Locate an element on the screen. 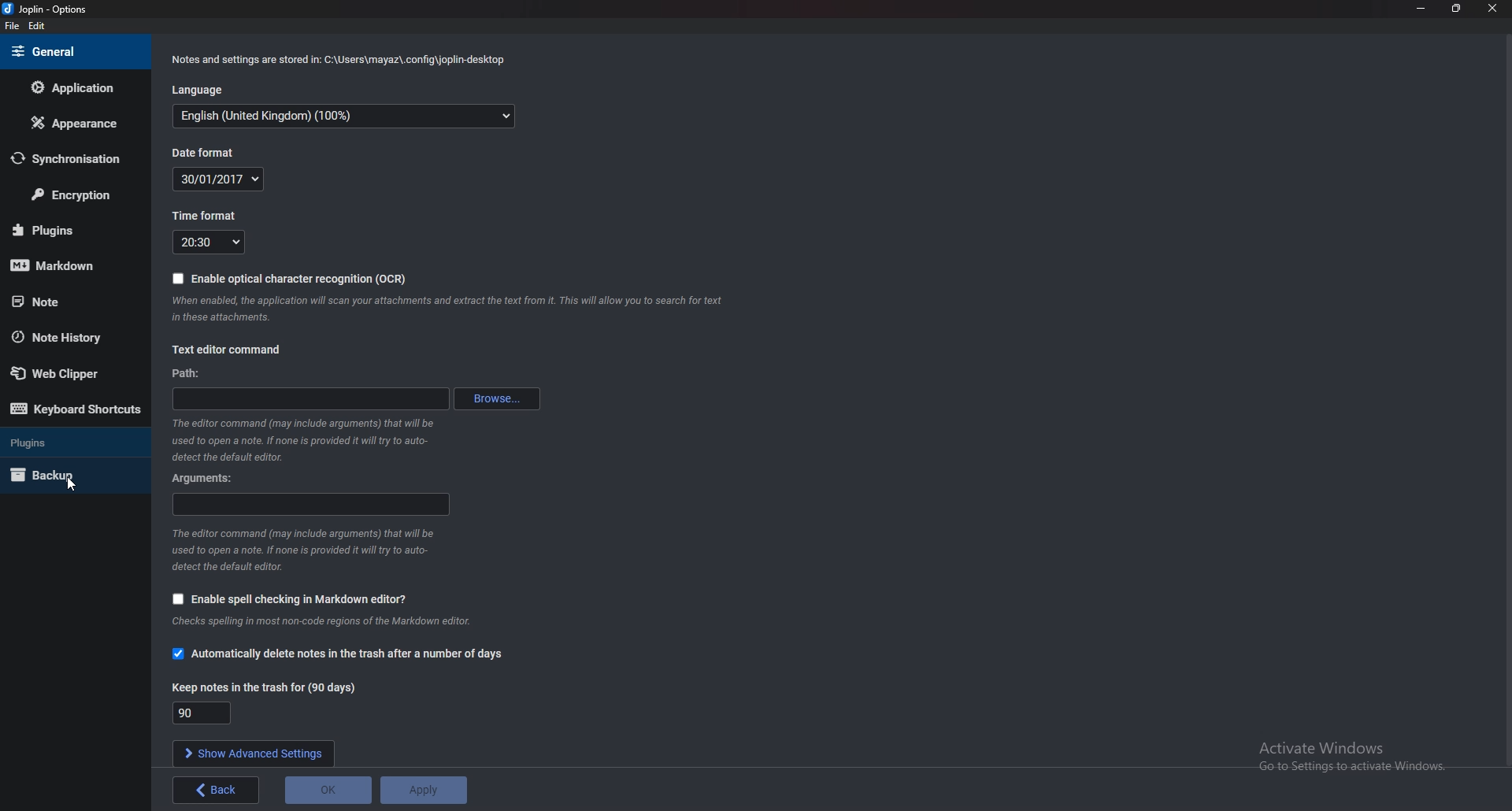 This screenshot has height=811, width=1512. Application is located at coordinates (75, 87).